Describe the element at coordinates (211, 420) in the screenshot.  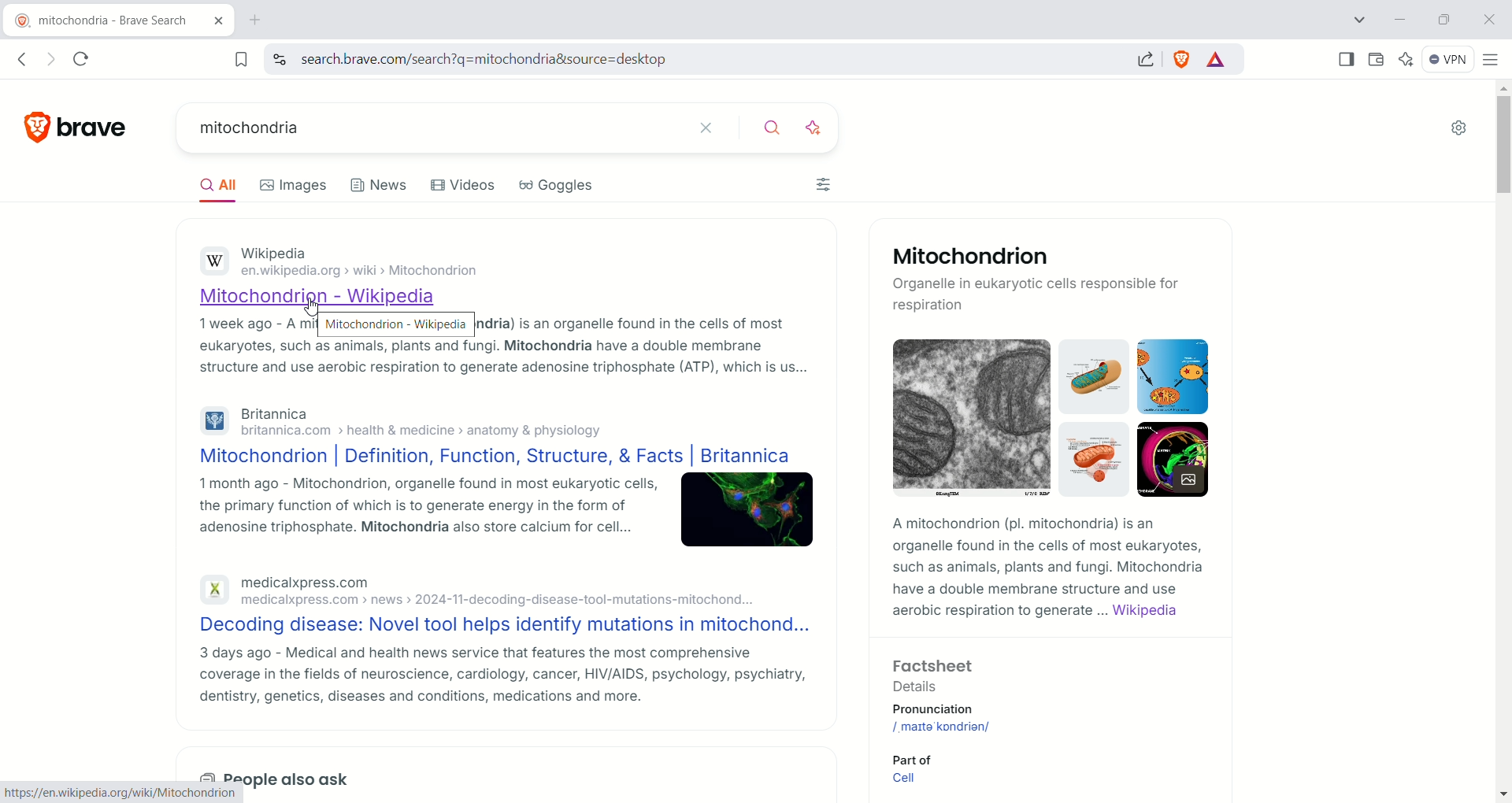
I see `Britannica logo` at that location.